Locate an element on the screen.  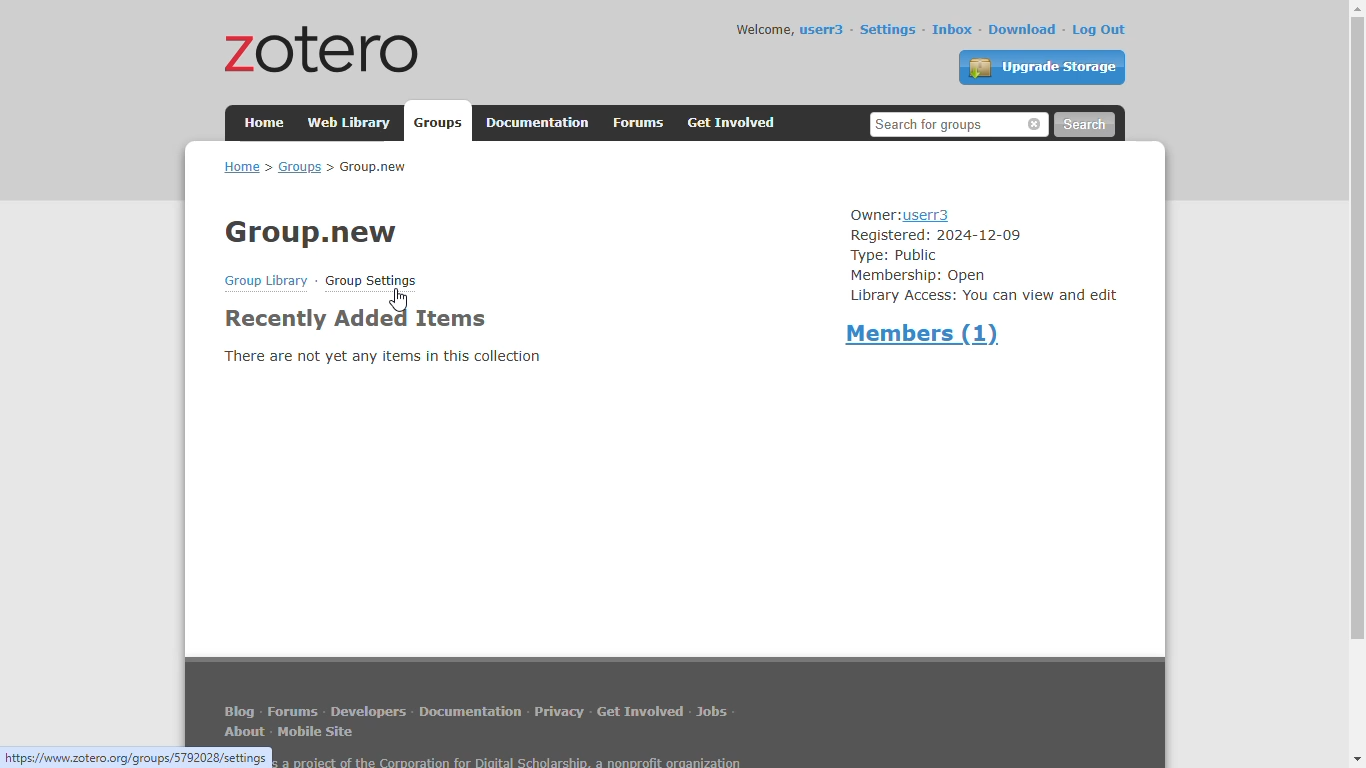
forums is located at coordinates (639, 123).